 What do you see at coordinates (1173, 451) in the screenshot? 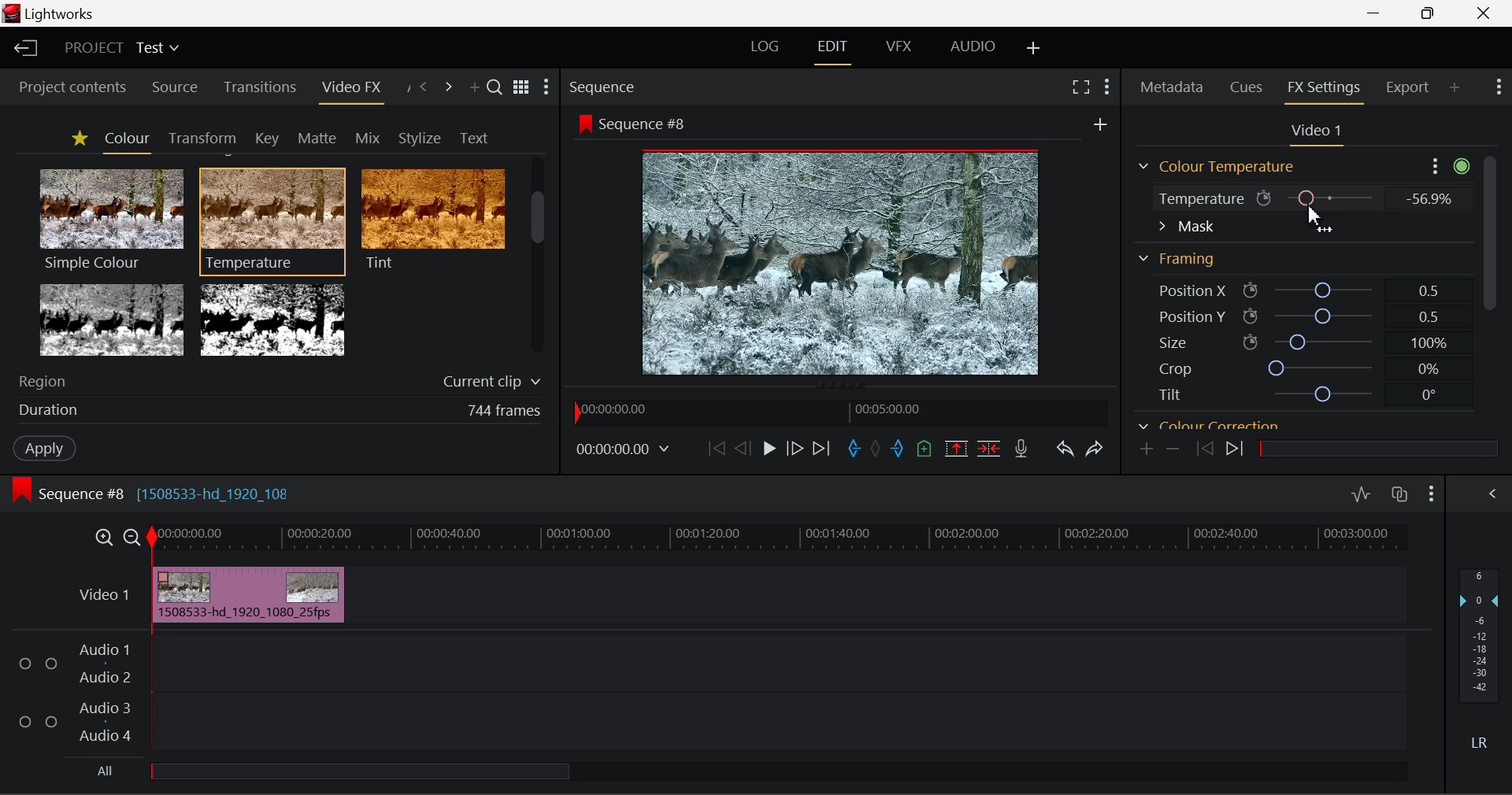
I see `Remove keyframe` at bounding box center [1173, 451].